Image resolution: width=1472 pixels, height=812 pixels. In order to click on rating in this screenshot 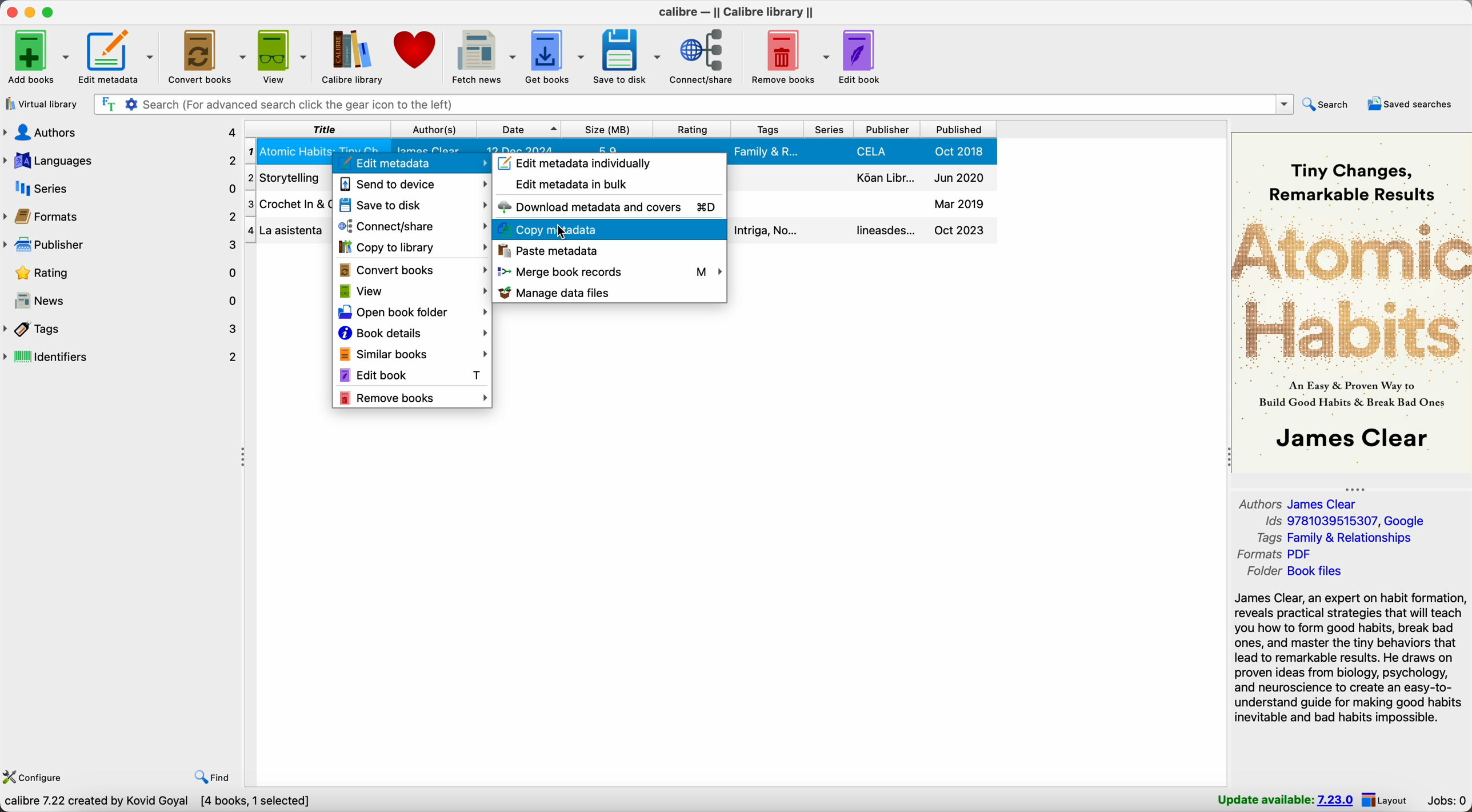, I will do `click(694, 128)`.